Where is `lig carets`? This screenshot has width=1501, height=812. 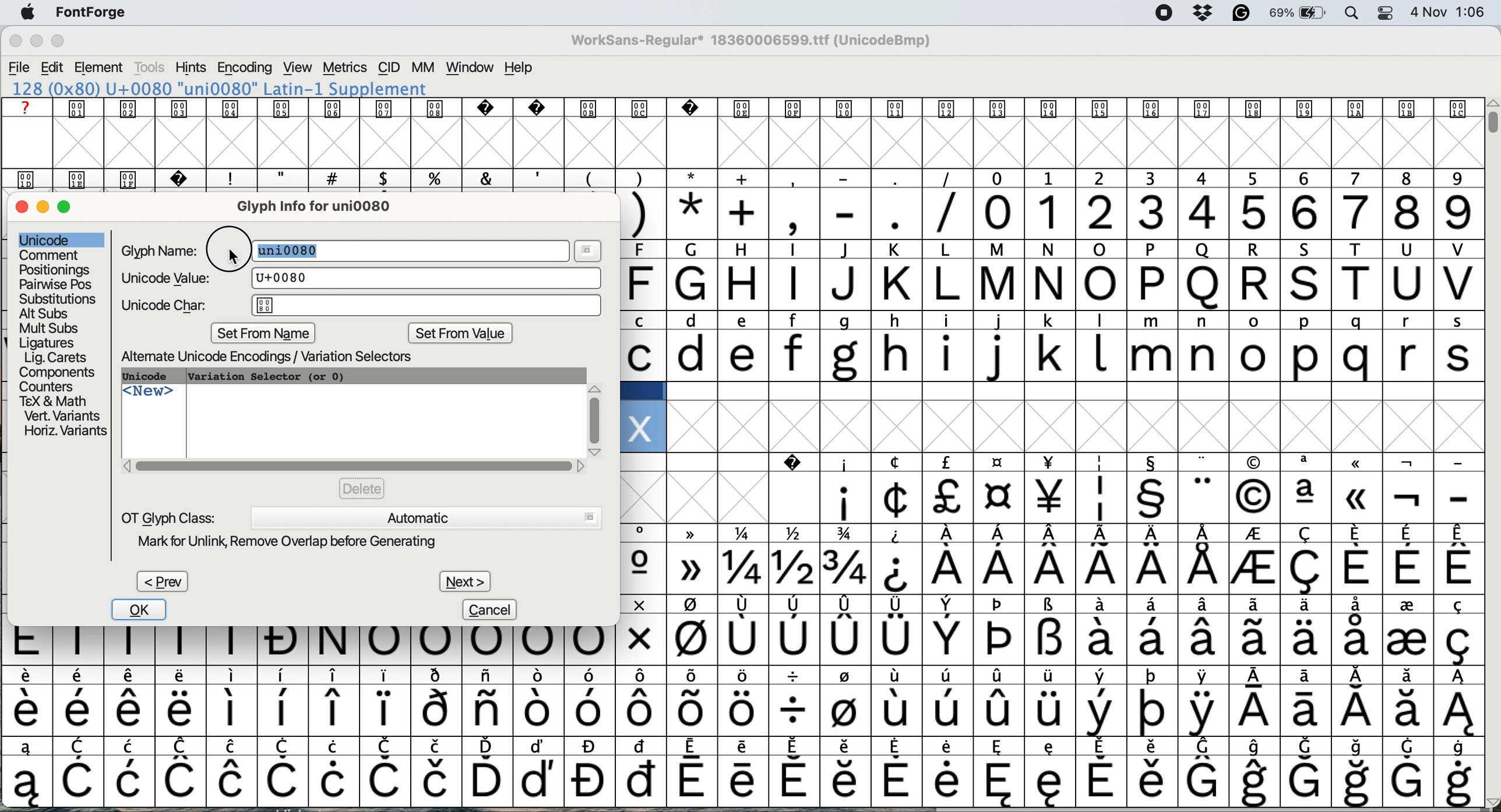 lig carets is located at coordinates (54, 357).